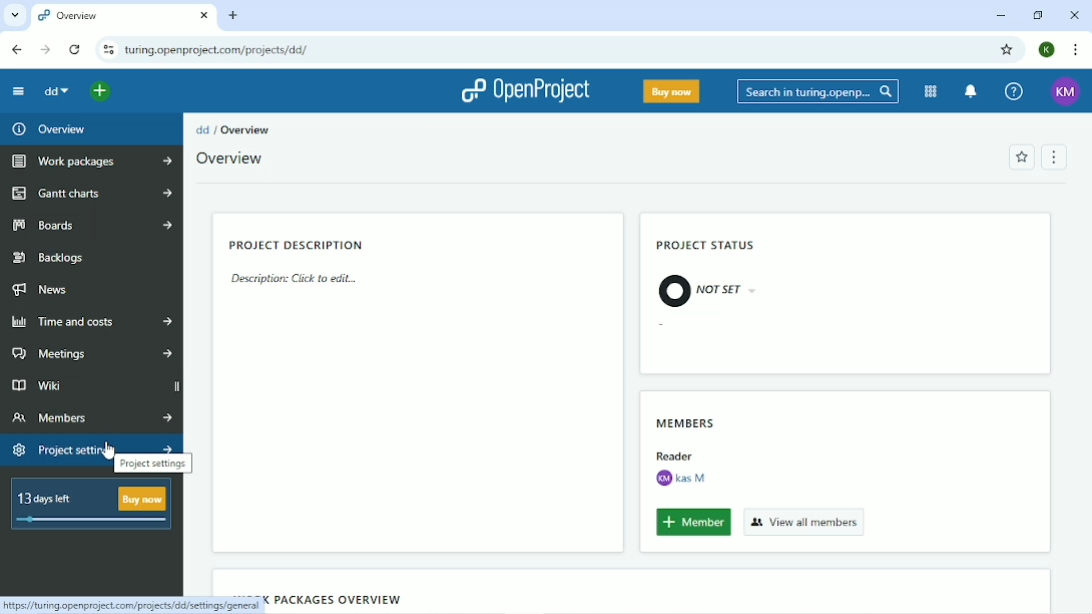 This screenshot has width=1092, height=614. What do you see at coordinates (932, 91) in the screenshot?
I see `Modules` at bounding box center [932, 91].